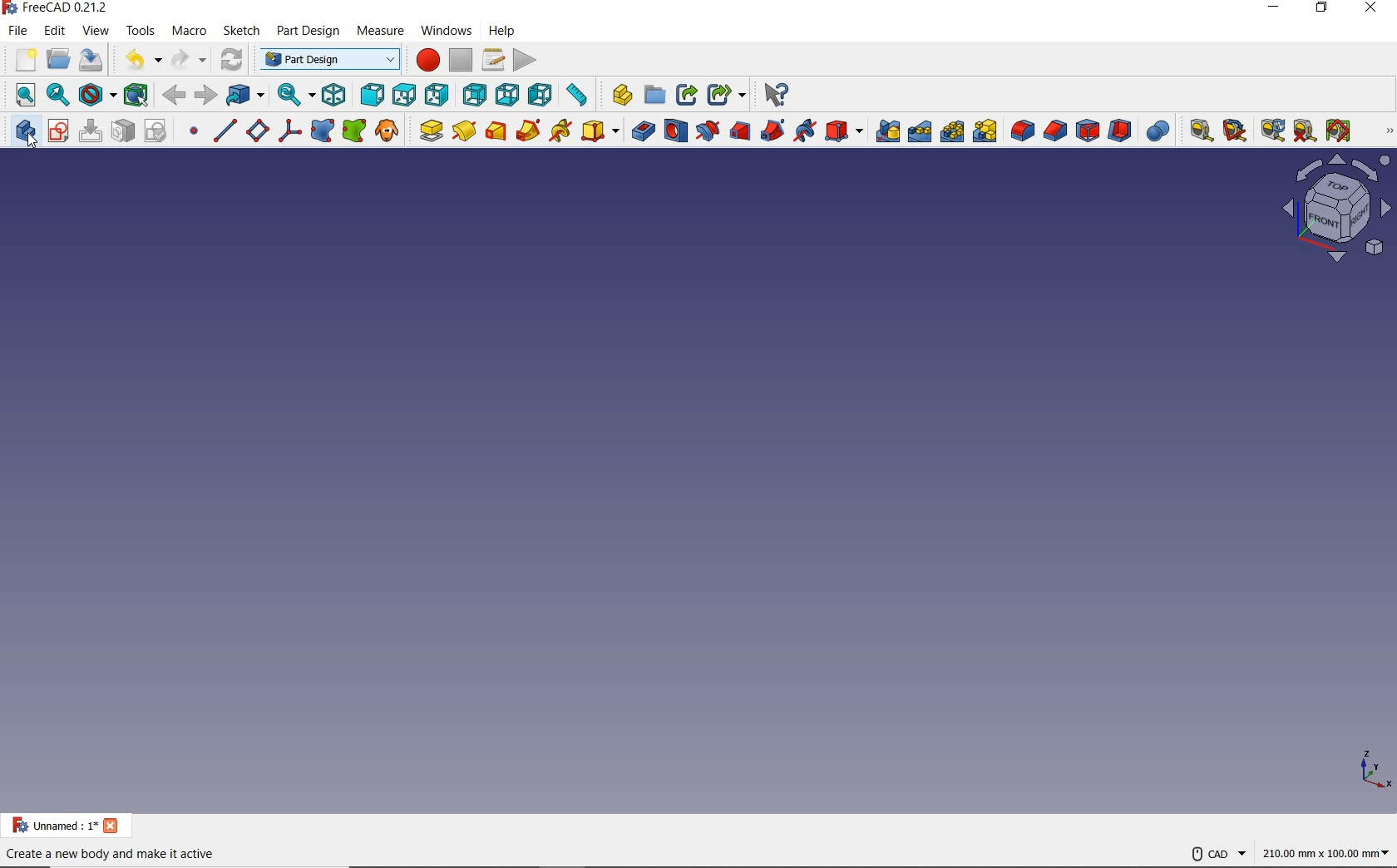 The image size is (1397, 868). What do you see at coordinates (323, 131) in the screenshot?
I see `CREATE A SHAPE BINDER` at bounding box center [323, 131].